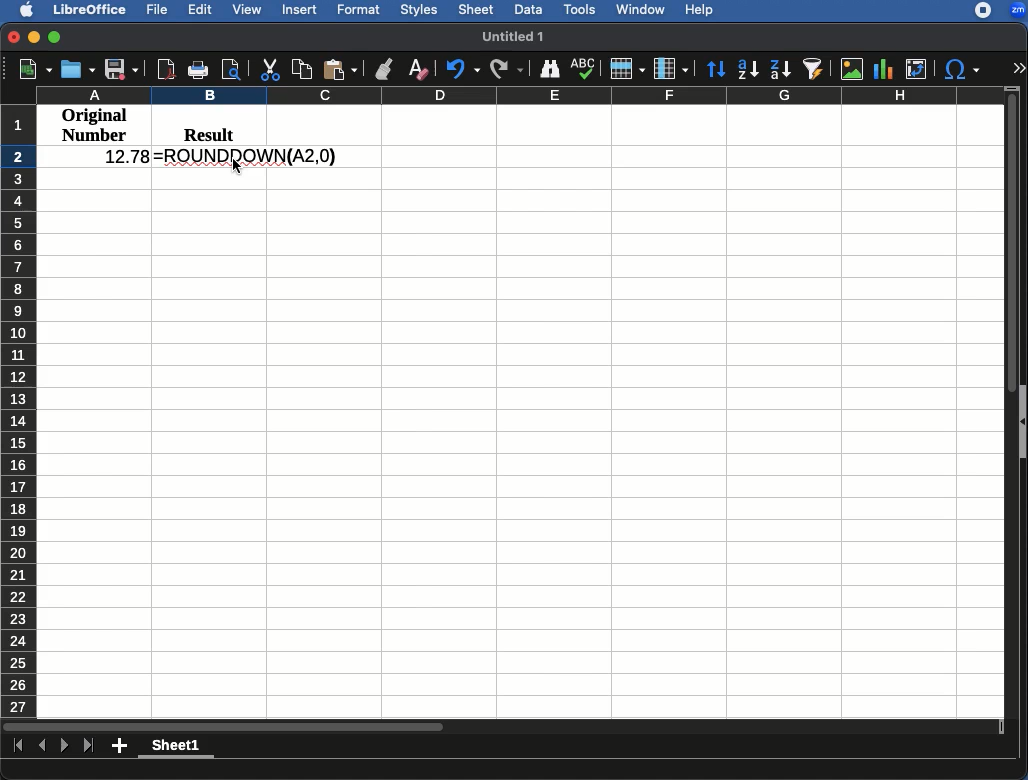  I want to click on 12.78, so click(119, 157).